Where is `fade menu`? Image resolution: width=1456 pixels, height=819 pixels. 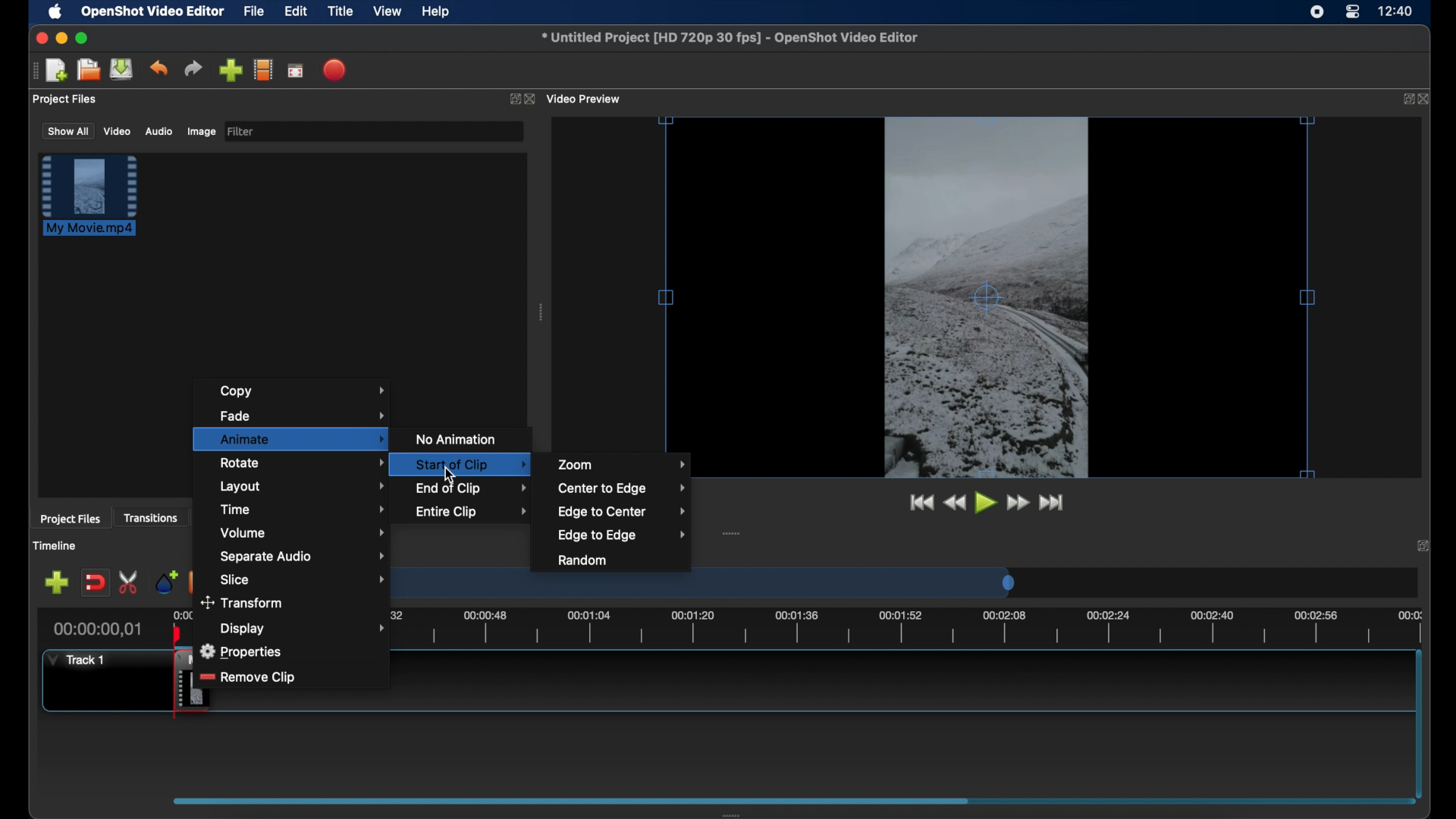 fade menu is located at coordinates (303, 414).